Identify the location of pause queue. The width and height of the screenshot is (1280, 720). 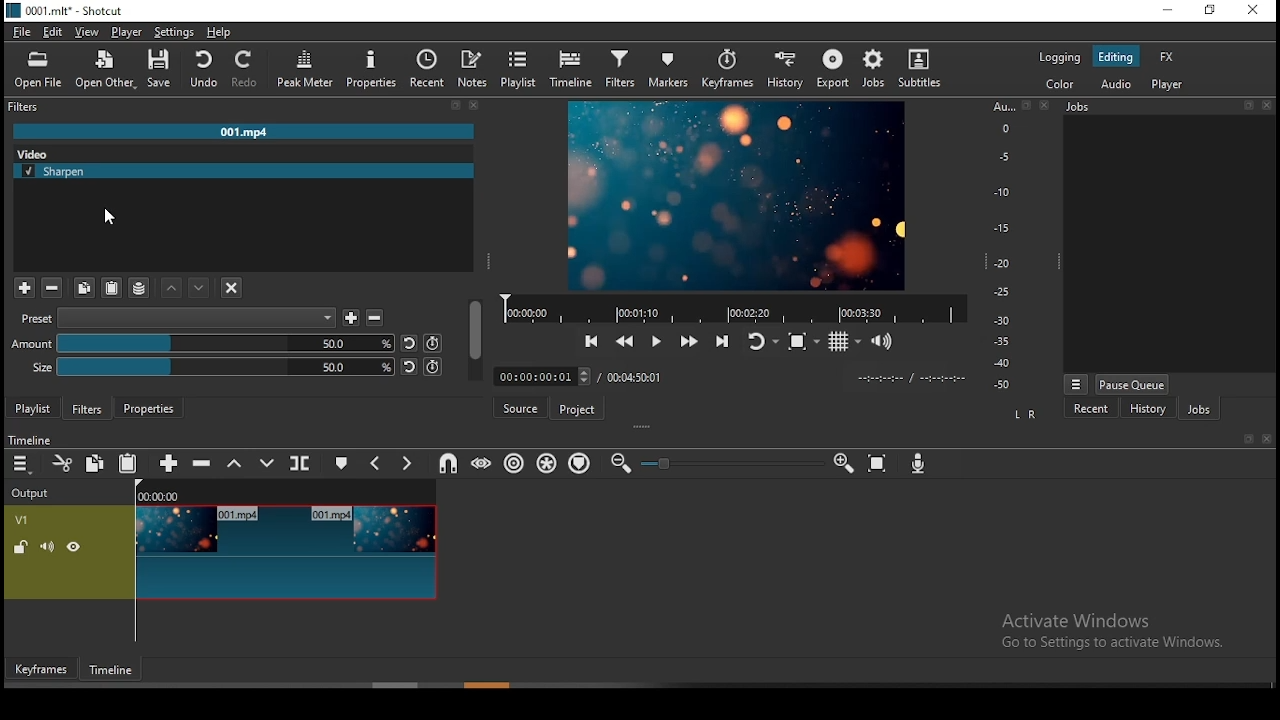
(1131, 384).